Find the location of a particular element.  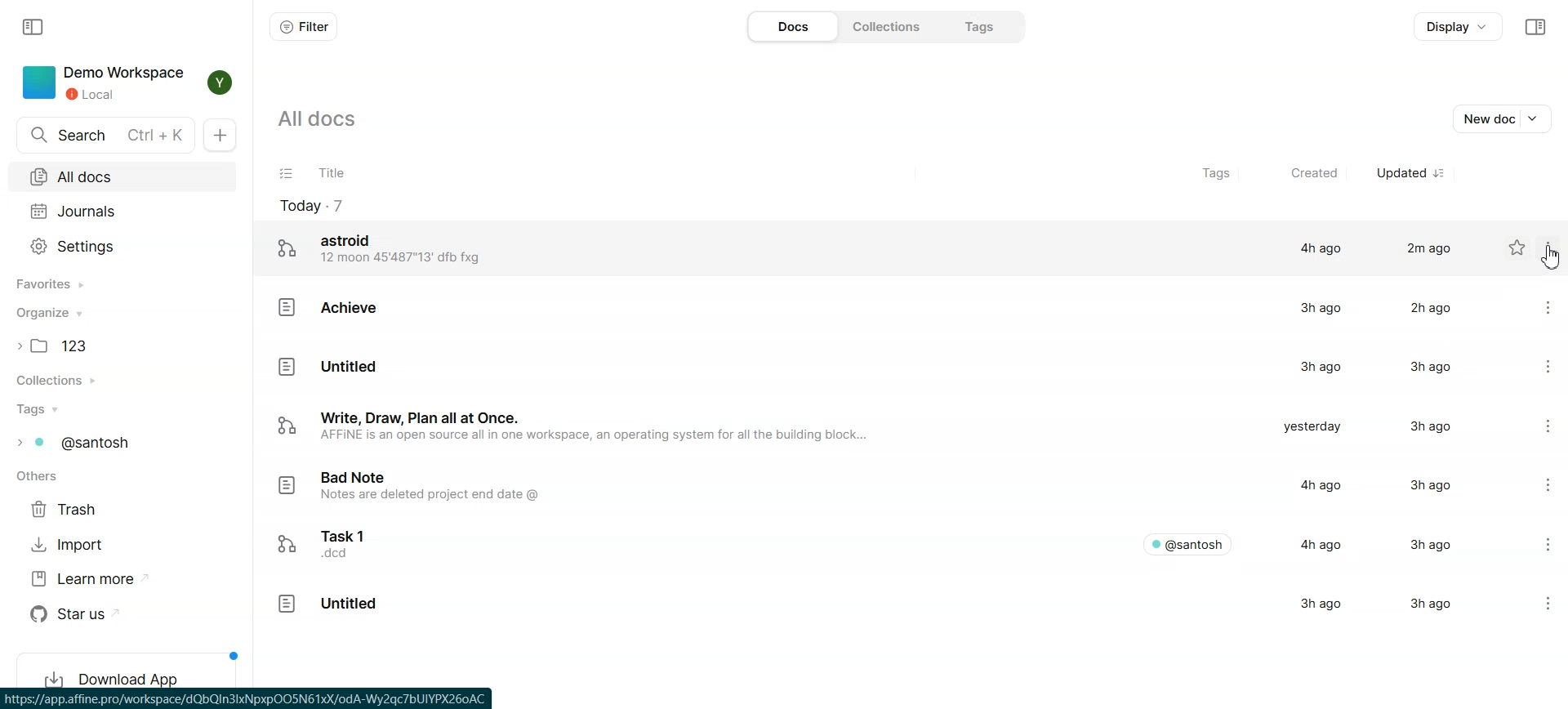

Dropdown box is located at coordinates (1536, 118).